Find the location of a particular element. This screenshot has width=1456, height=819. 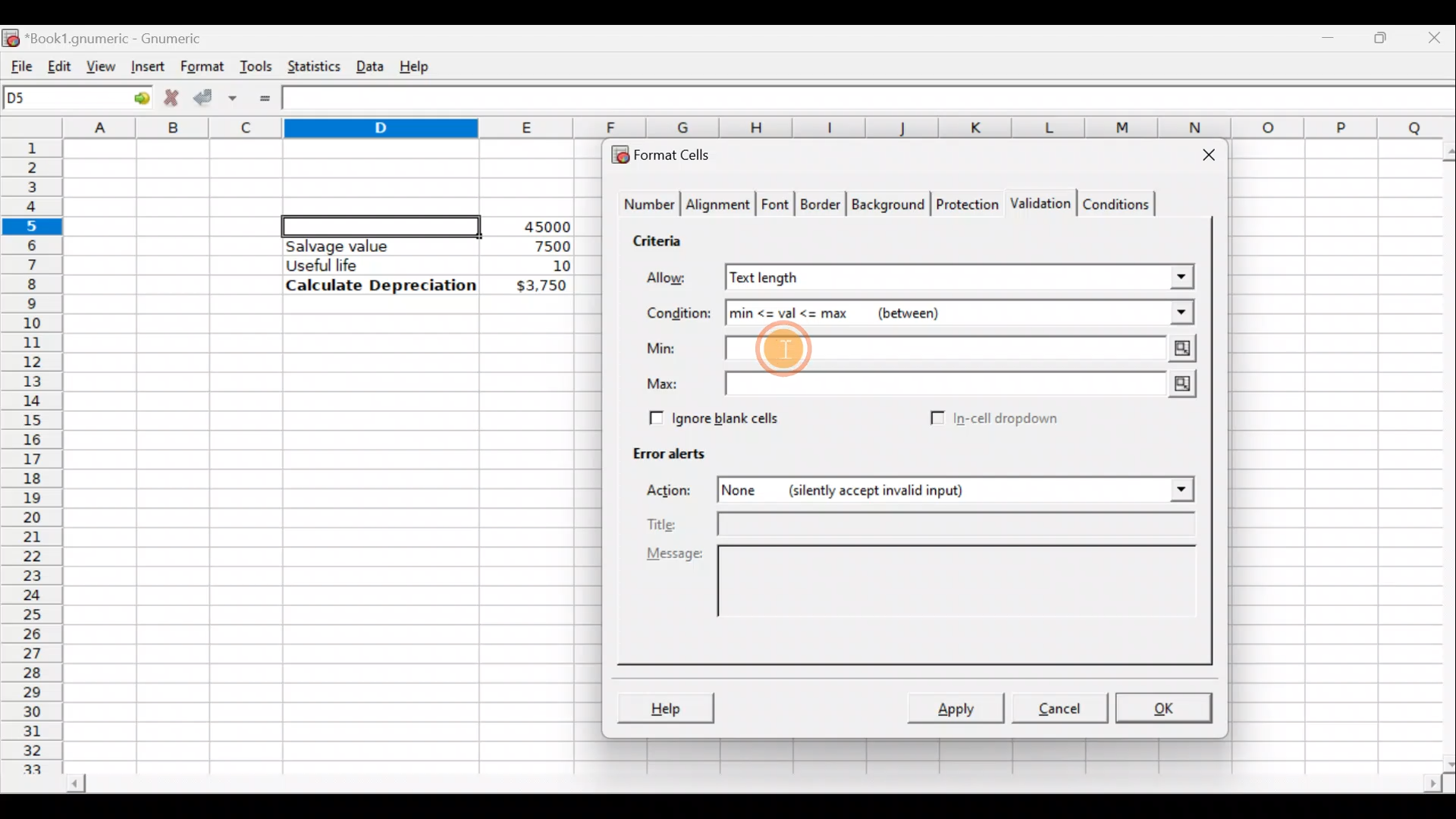

Conditions is located at coordinates (1116, 203).